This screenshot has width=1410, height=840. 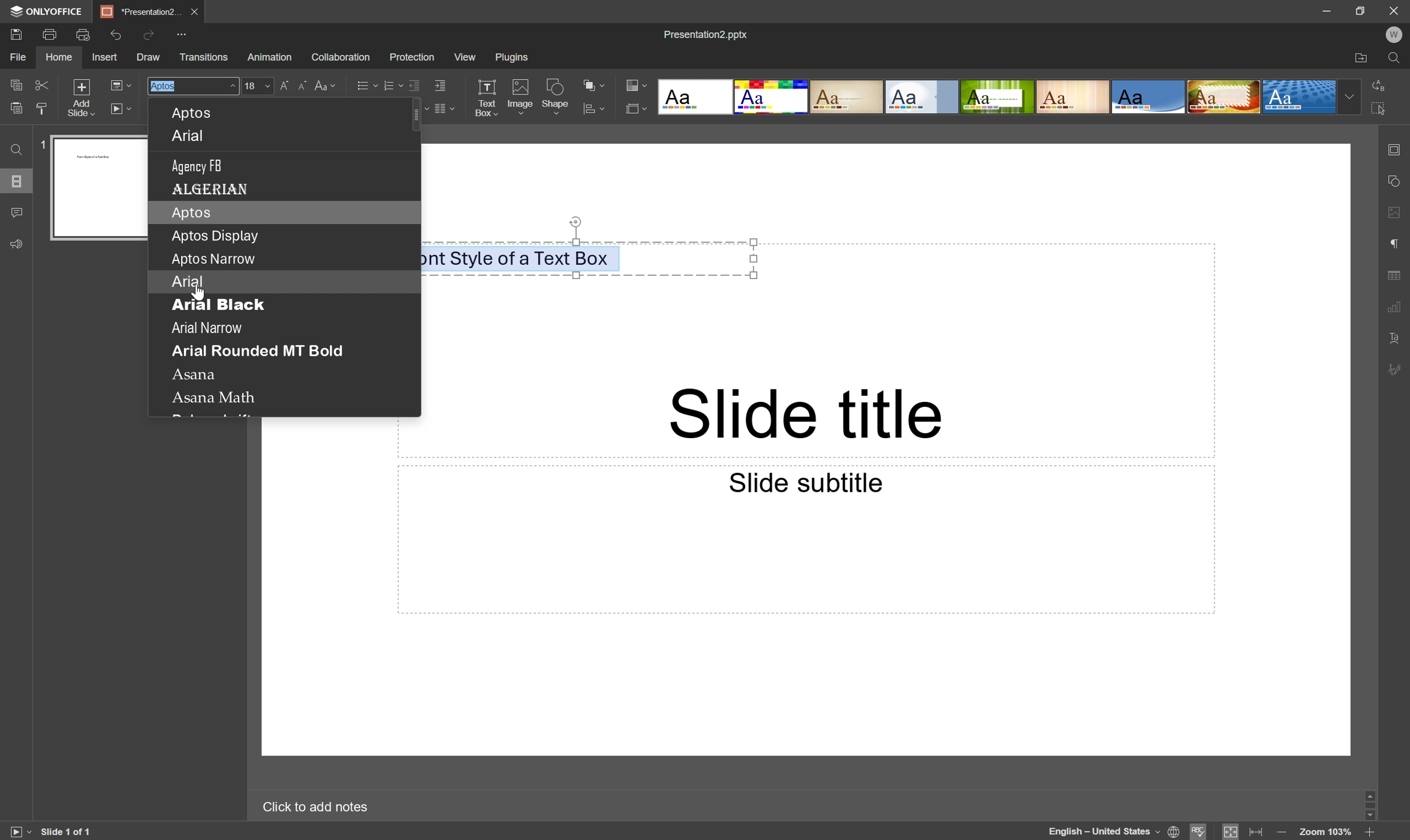 I want to click on Protection, so click(x=412, y=57).